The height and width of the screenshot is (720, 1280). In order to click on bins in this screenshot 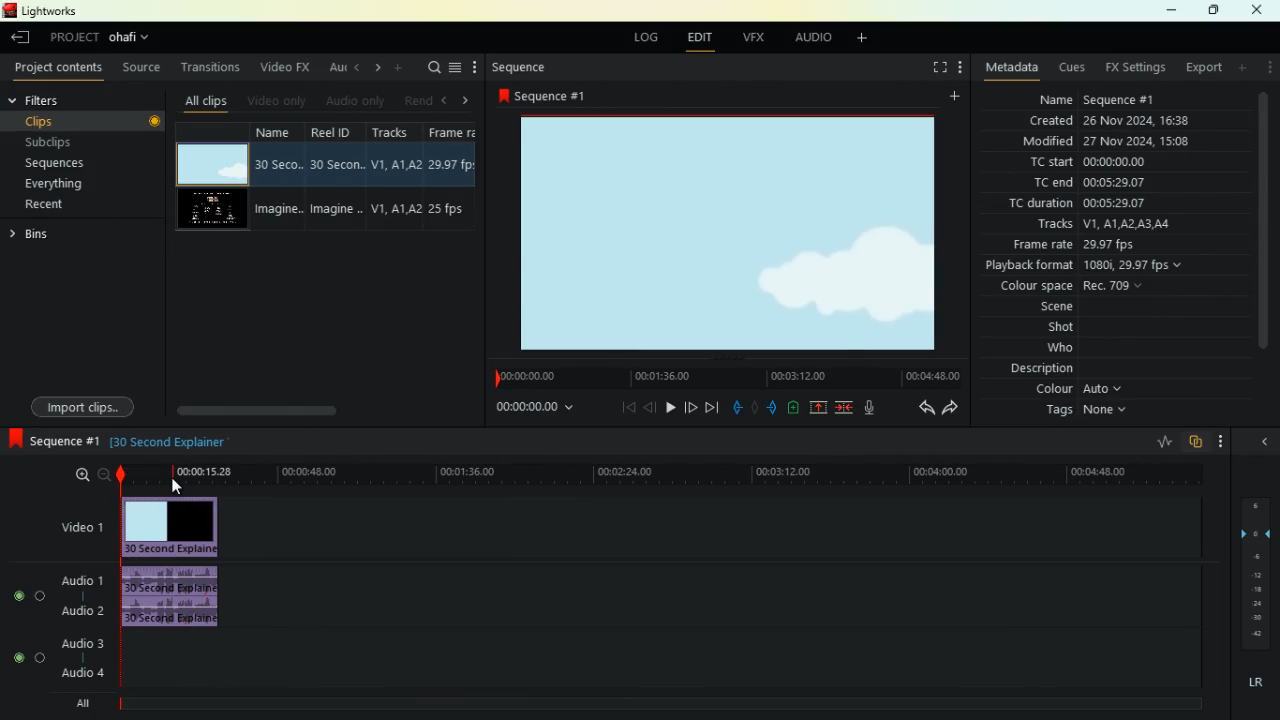, I will do `click(39, 236)`.